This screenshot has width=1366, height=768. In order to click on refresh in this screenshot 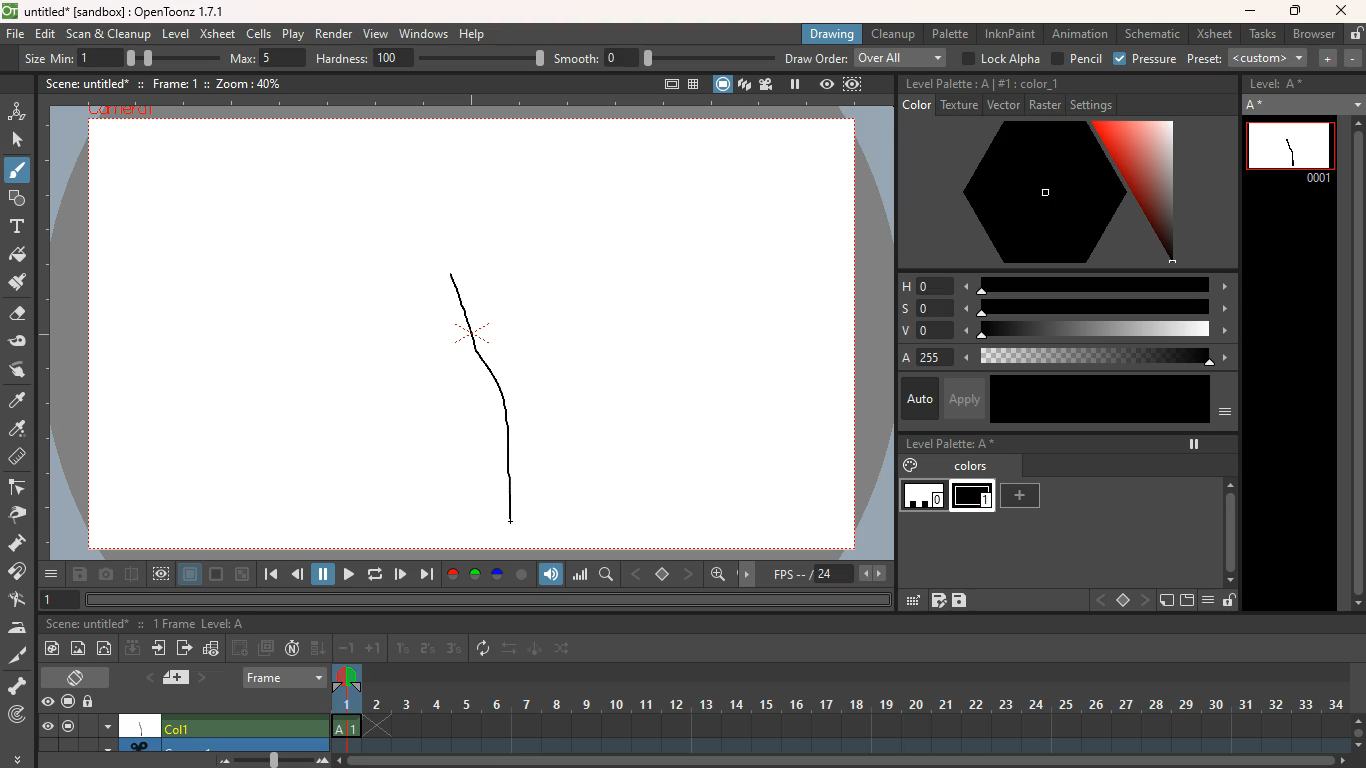, I will do `click(484, 648)`.